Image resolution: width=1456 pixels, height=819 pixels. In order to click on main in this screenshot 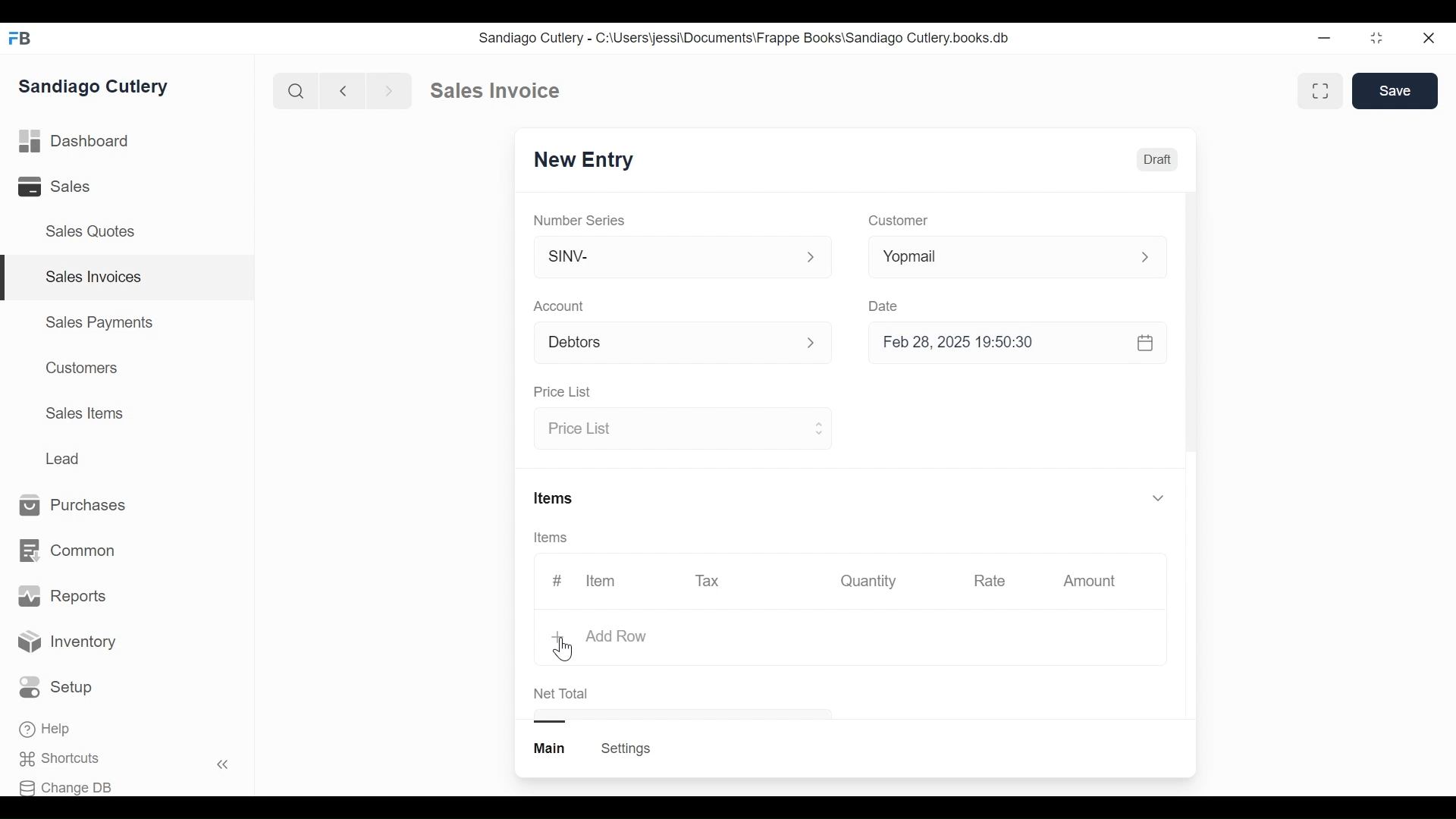, I will do `click(551, 748)`.